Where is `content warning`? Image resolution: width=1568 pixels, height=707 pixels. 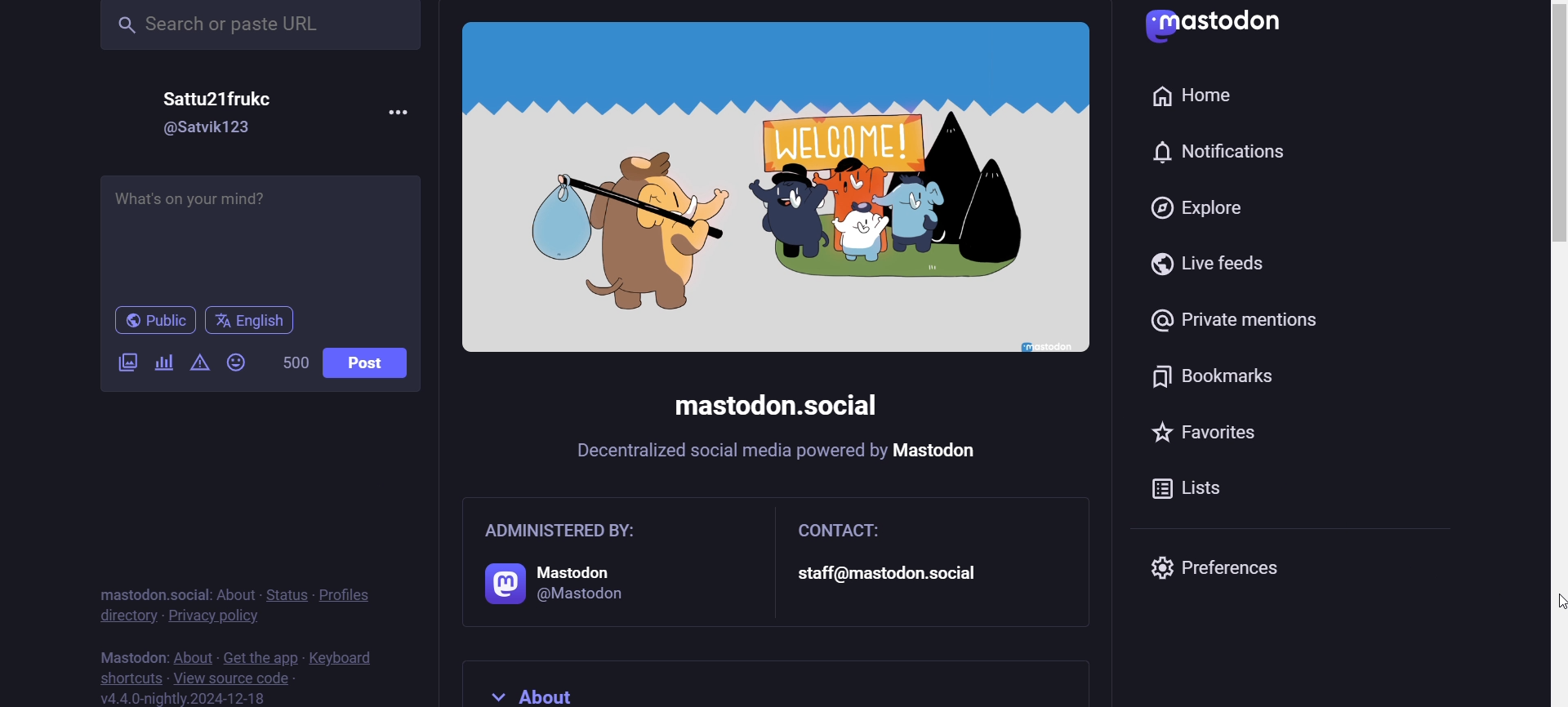 content warning is located at coordinates (197, 363).